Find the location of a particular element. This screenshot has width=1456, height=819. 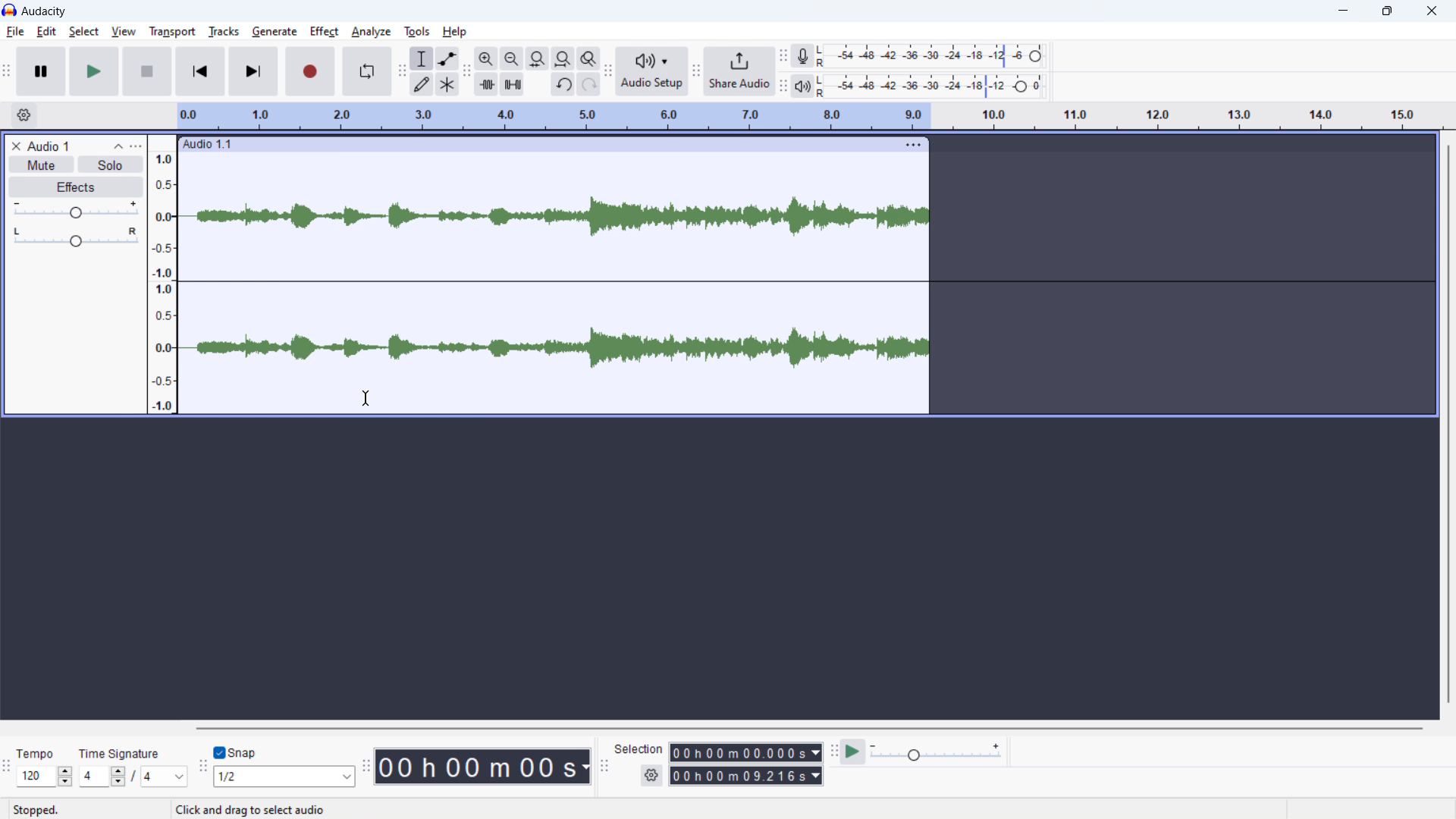

toggle snap is located at coordinates (237, 753).